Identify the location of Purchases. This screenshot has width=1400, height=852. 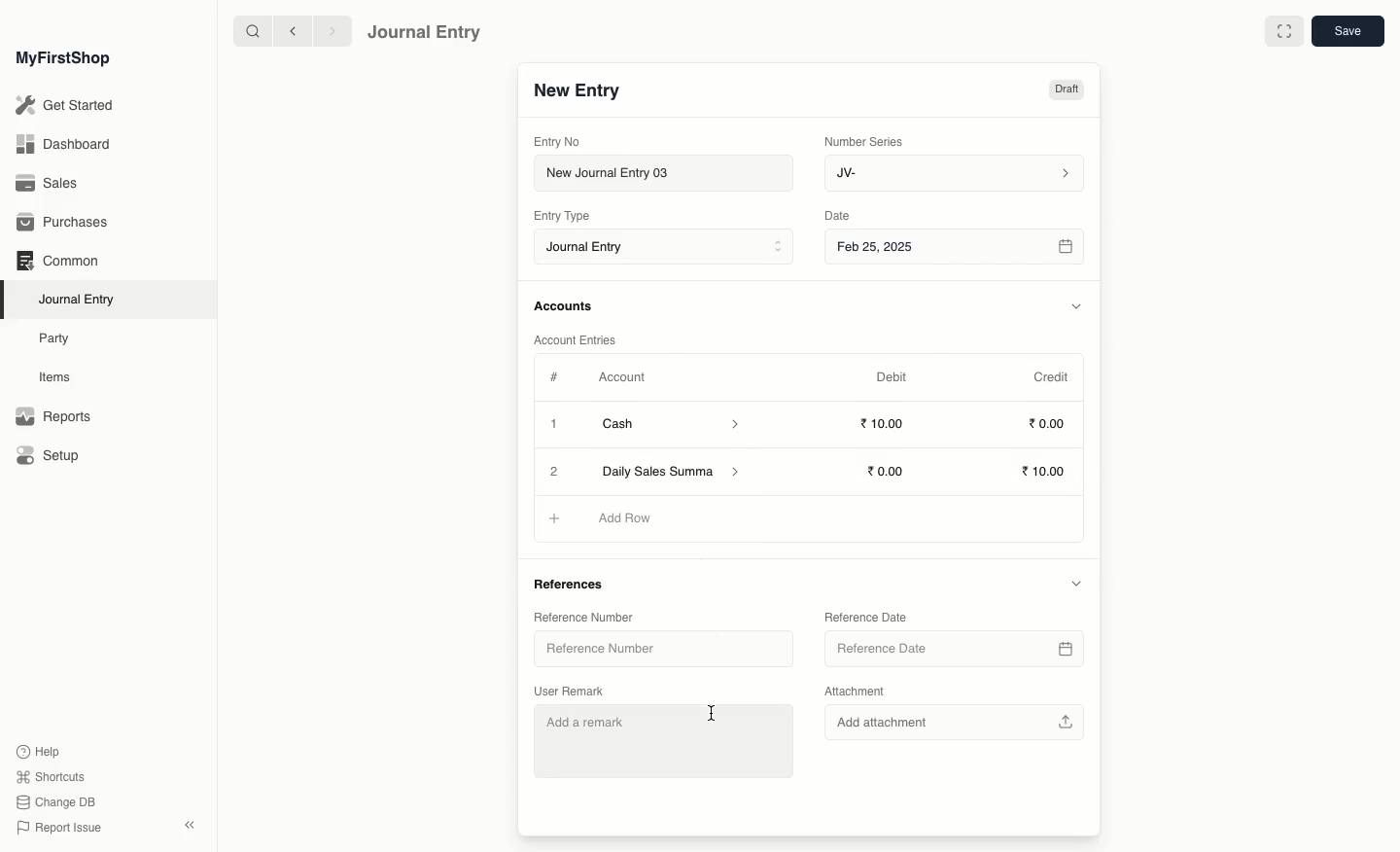
(67, 223).